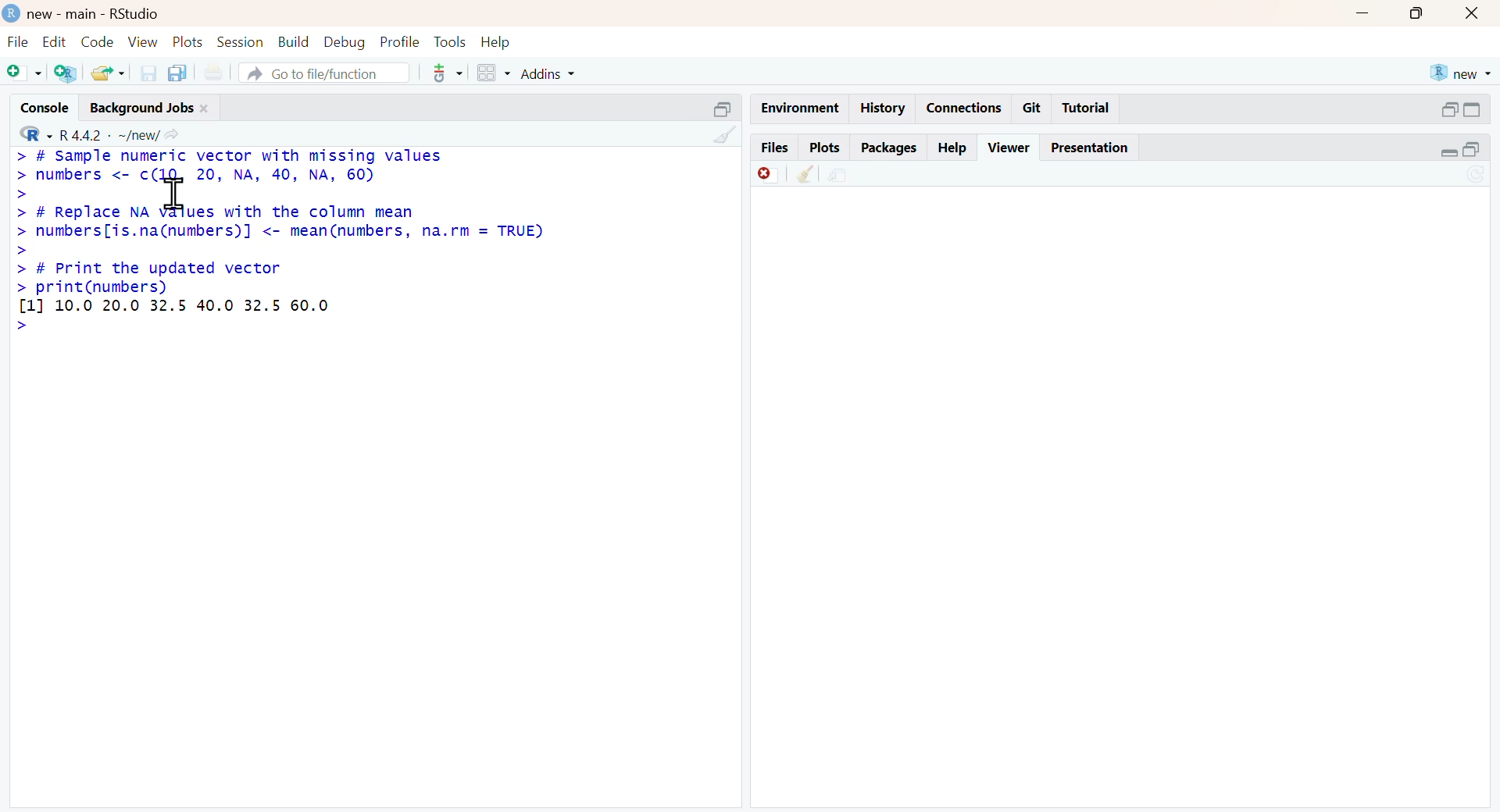  What do you see at coordinates (449, 73) in the screenshot?
I see `tools` at bounding box center [449, 73].